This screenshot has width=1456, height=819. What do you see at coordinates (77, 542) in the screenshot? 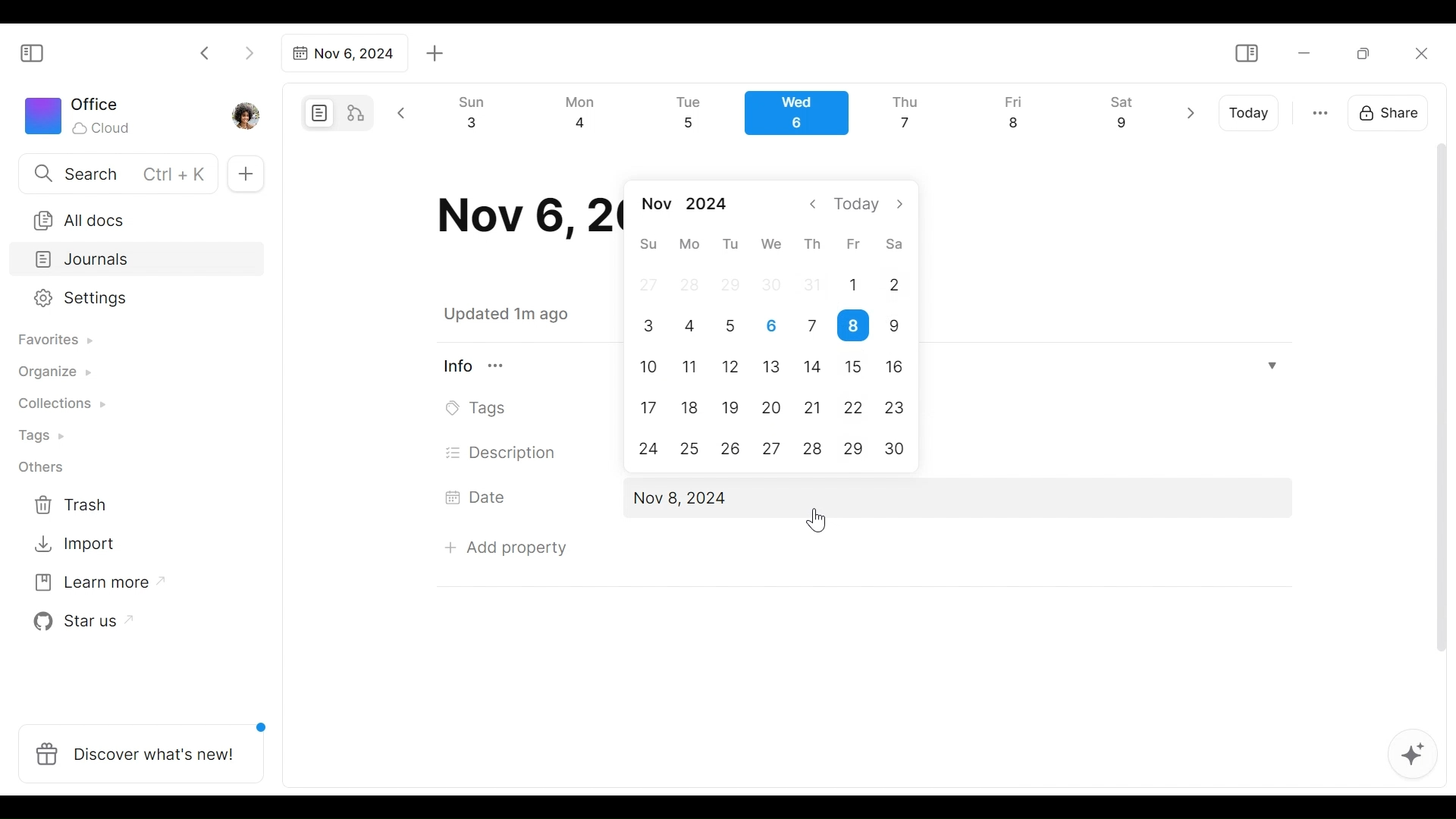
I see `Import` at bounding box center [77, 542].